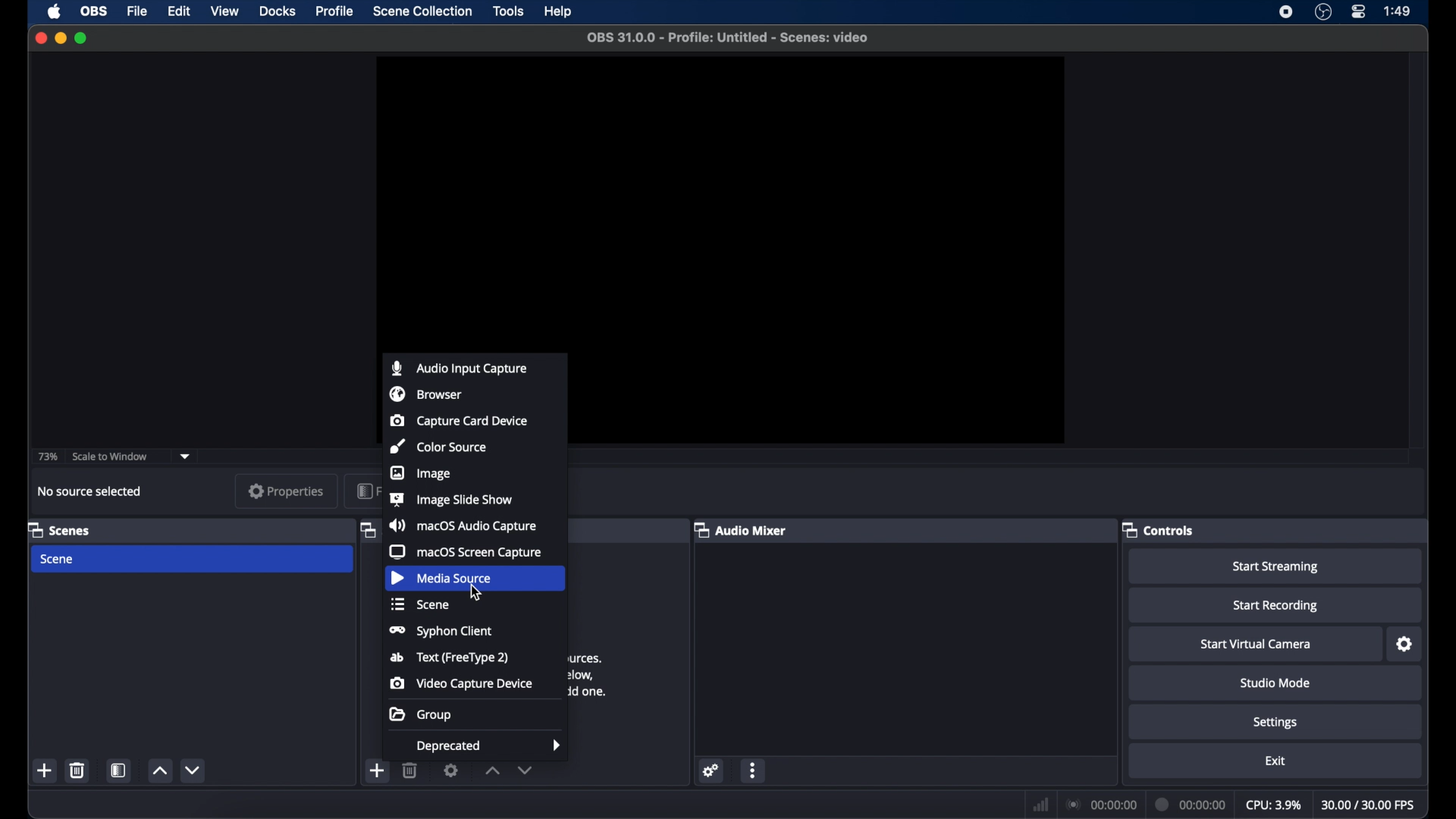  What do you see at coordinates (367, 491) in the screenshot?
I see `filters` at bounding box center [367, 491].